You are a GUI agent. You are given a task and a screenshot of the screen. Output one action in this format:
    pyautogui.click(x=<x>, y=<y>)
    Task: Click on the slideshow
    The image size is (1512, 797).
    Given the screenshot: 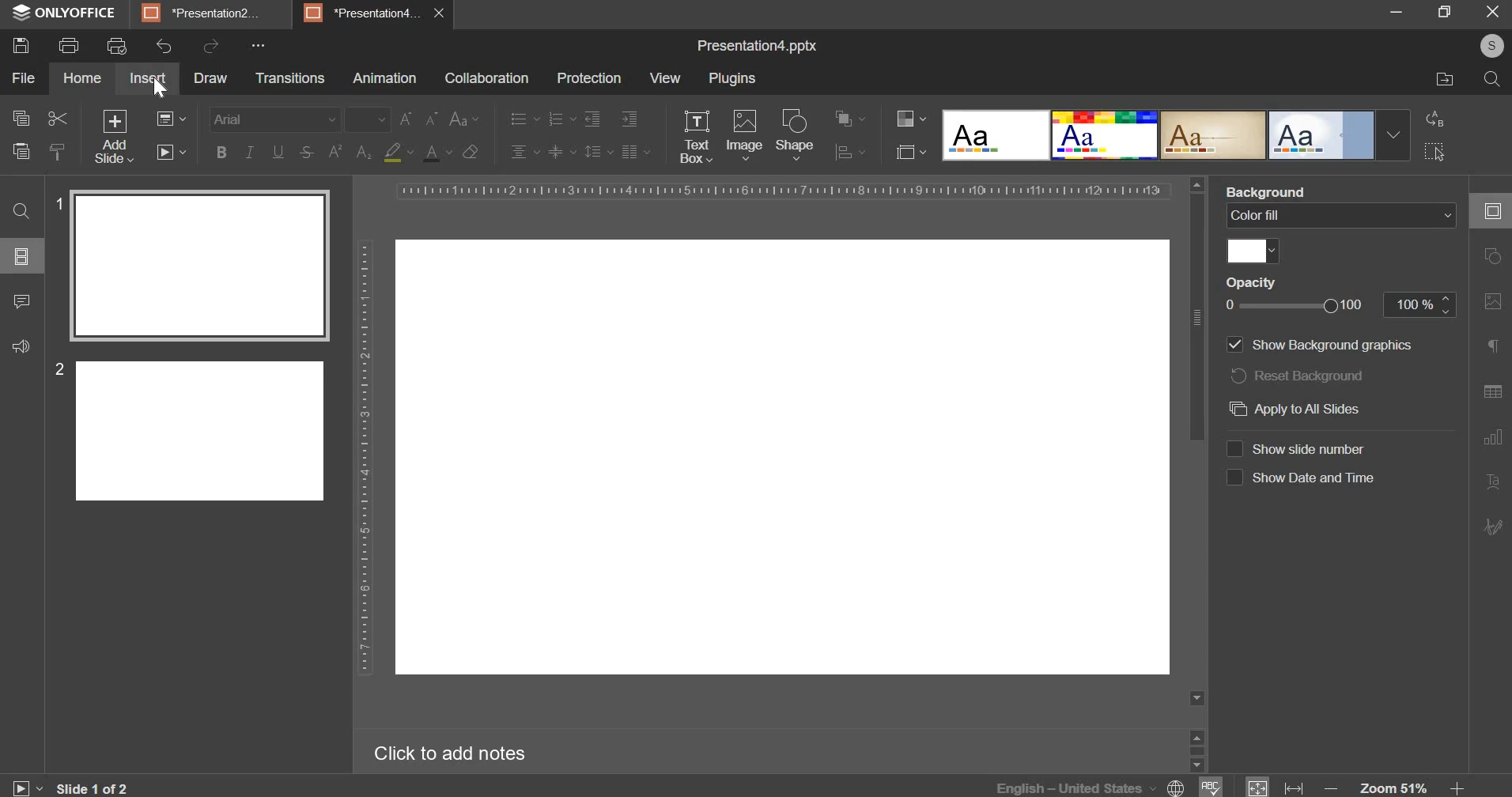 What is the action you would take?
    pyautogui.click(x=173, y=152)
    